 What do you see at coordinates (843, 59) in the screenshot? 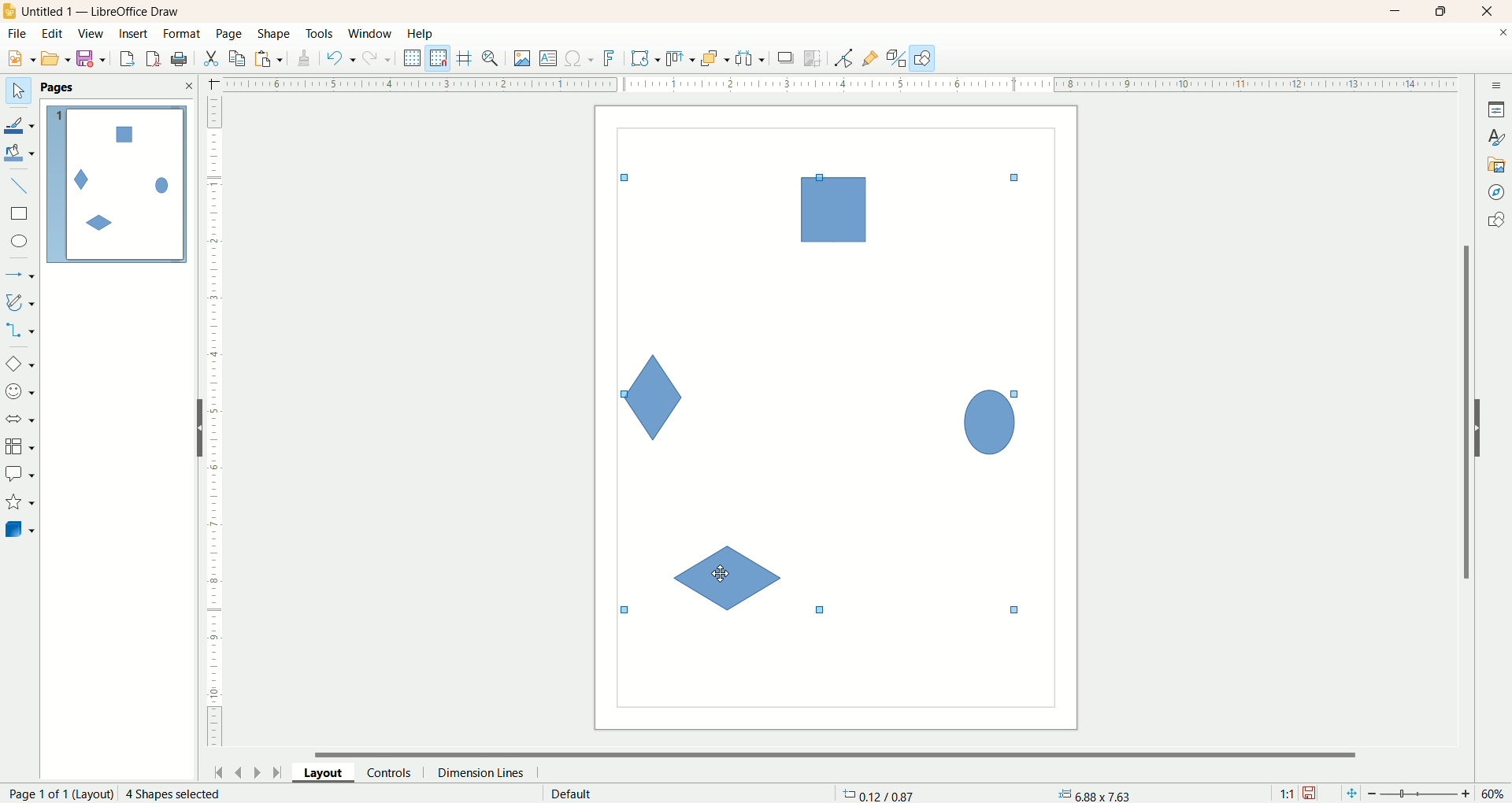
I see `point edit mode` at bounding box center [843, 59].